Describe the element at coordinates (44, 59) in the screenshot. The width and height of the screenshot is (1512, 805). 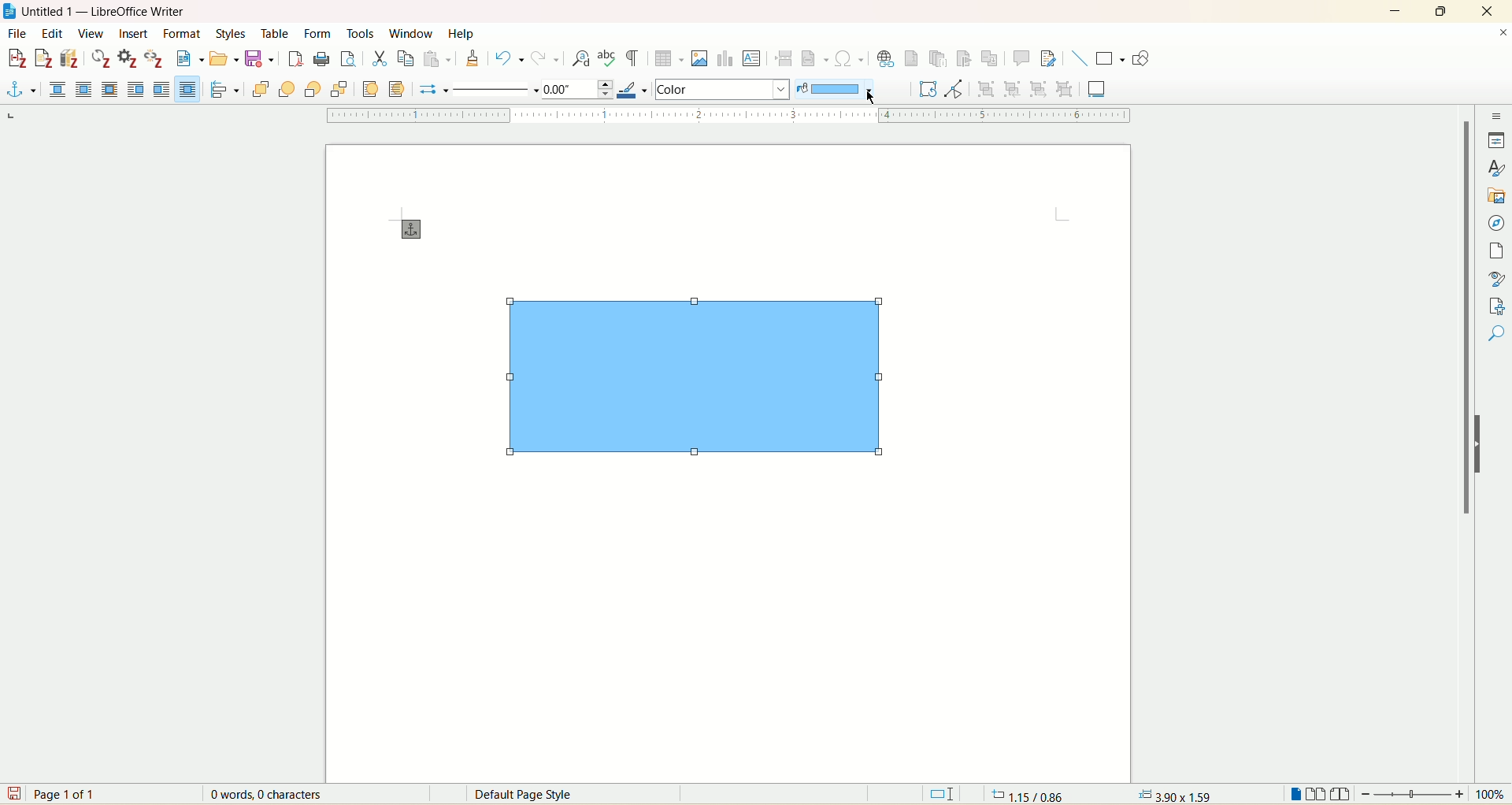
I see `add note` at that location.